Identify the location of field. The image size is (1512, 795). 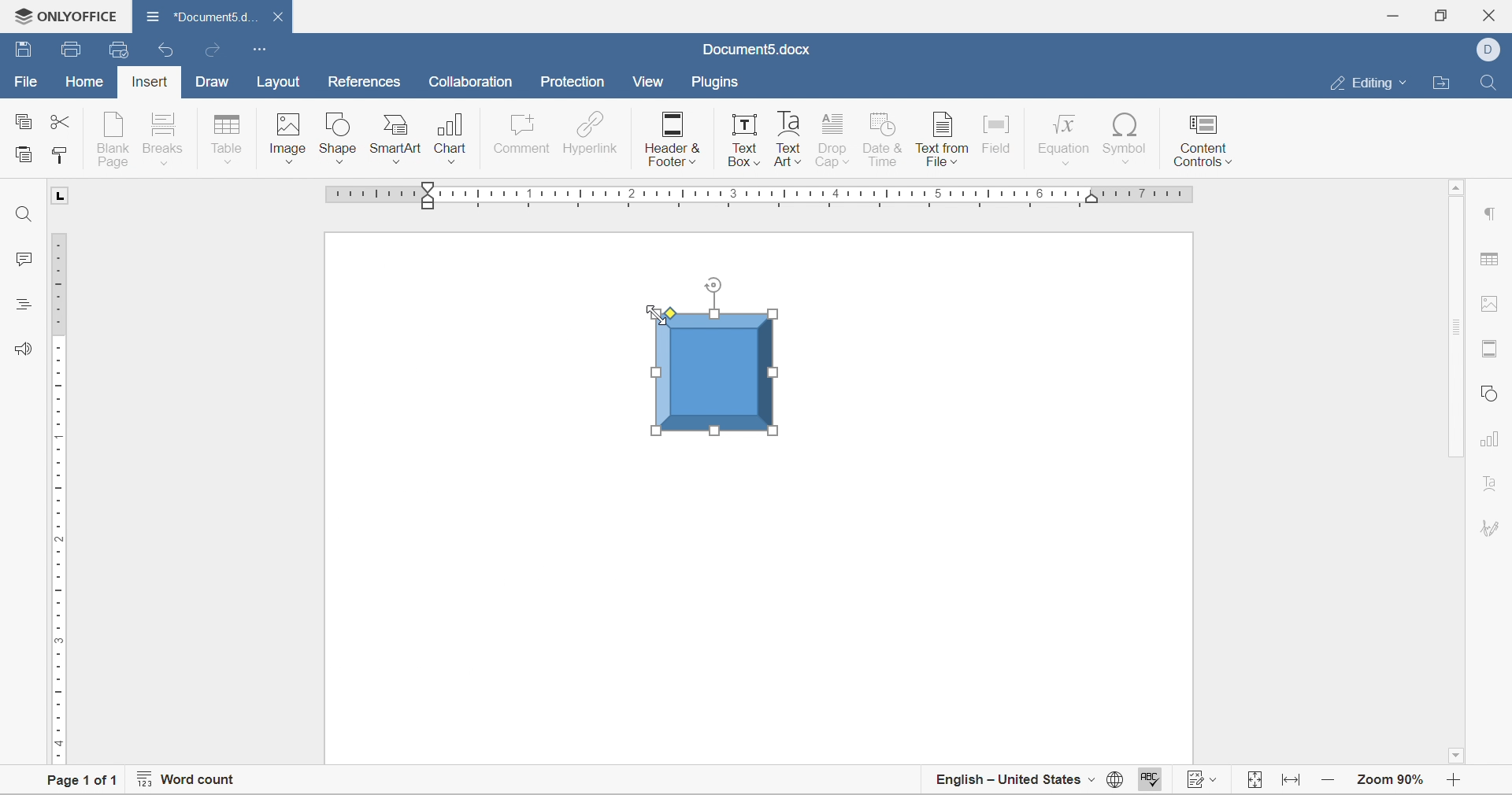
(1001, 134).